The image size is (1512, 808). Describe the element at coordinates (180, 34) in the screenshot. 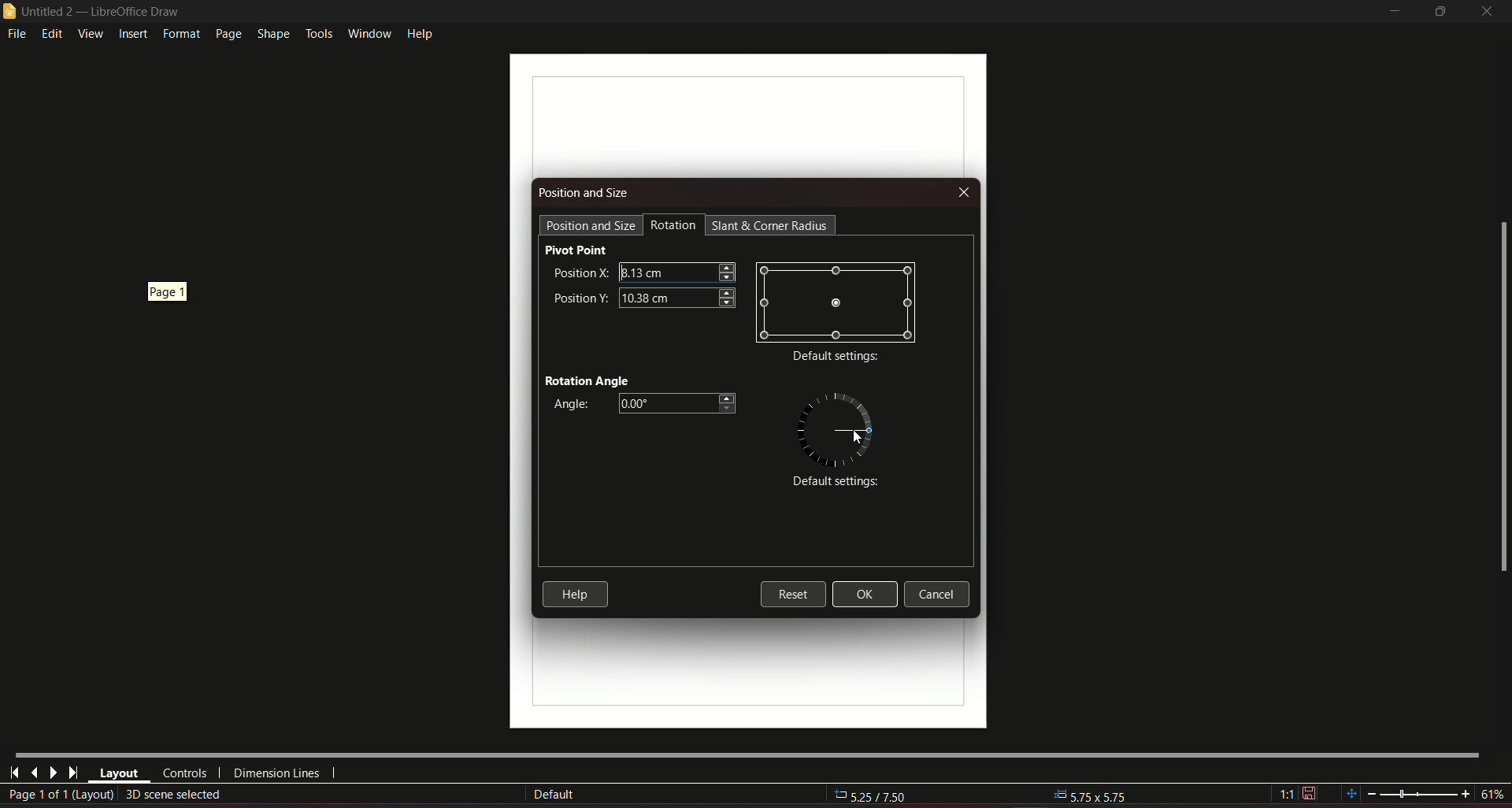

I see `format` at that location.